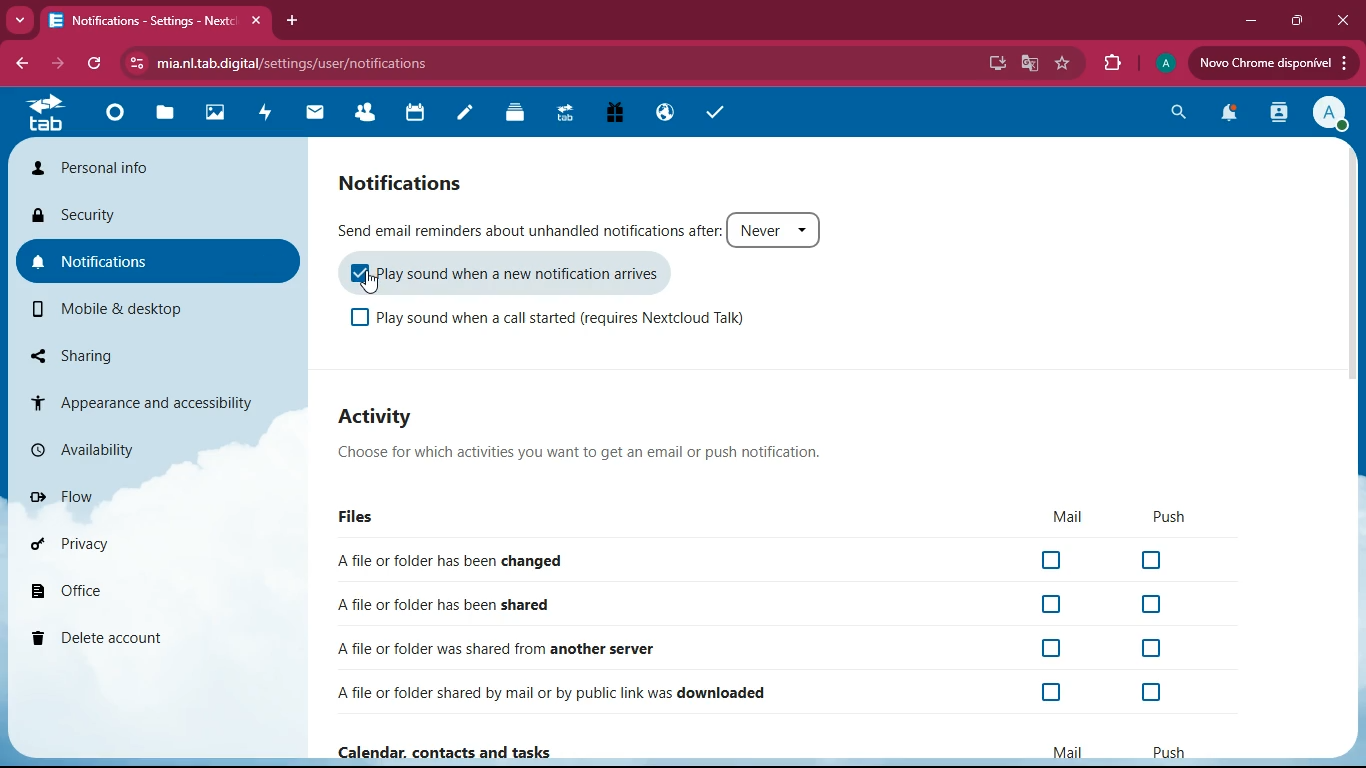 This screenshot has height=768, width=1366. What do you see at coordinates (157, 259) in the screenshot?
I see `notifications` at bounding box center [157, 259].